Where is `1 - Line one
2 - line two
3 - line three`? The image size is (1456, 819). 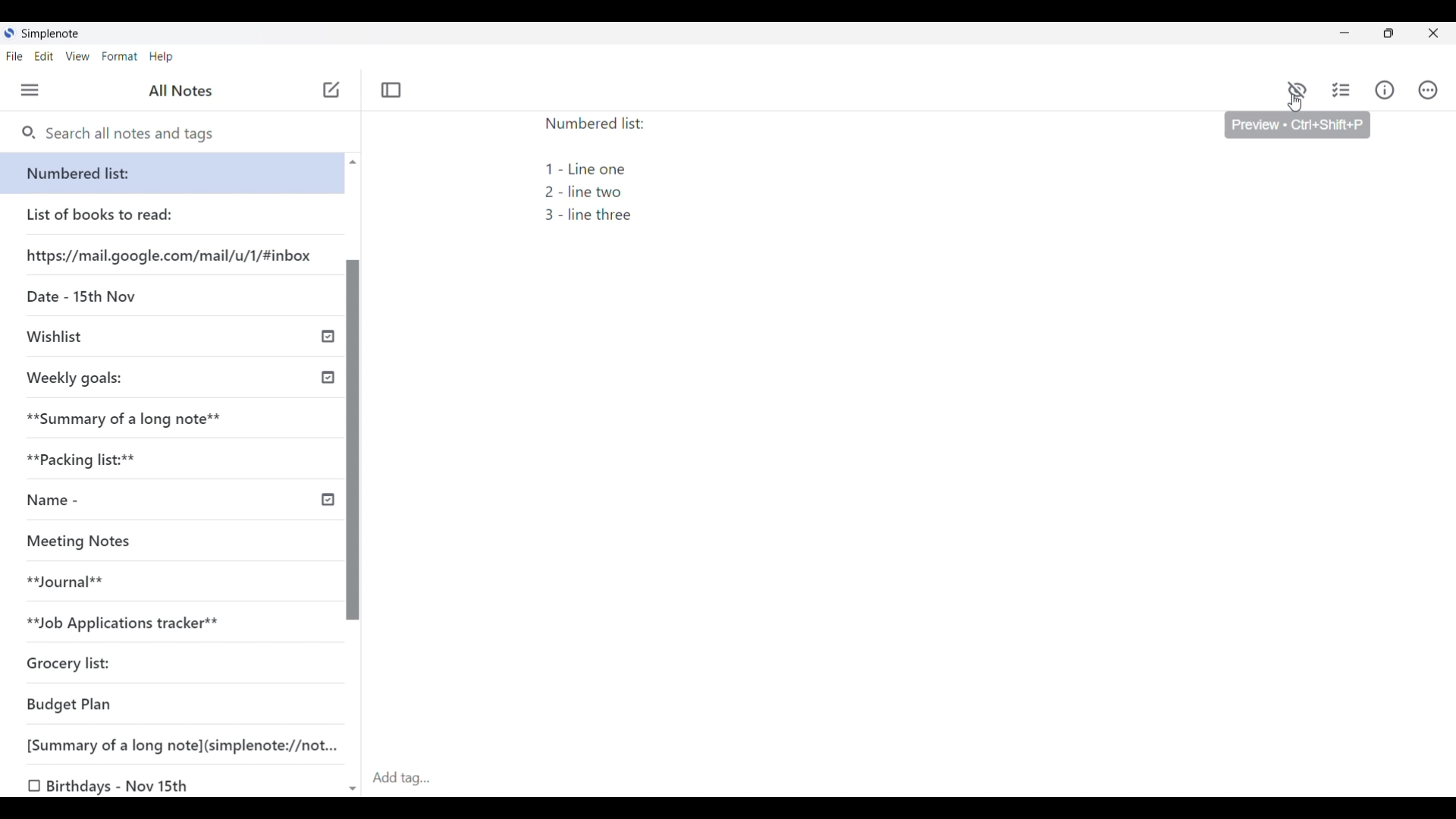 1 - Line one
2 - line two
3 - line three is located at coordinates (597, 193).